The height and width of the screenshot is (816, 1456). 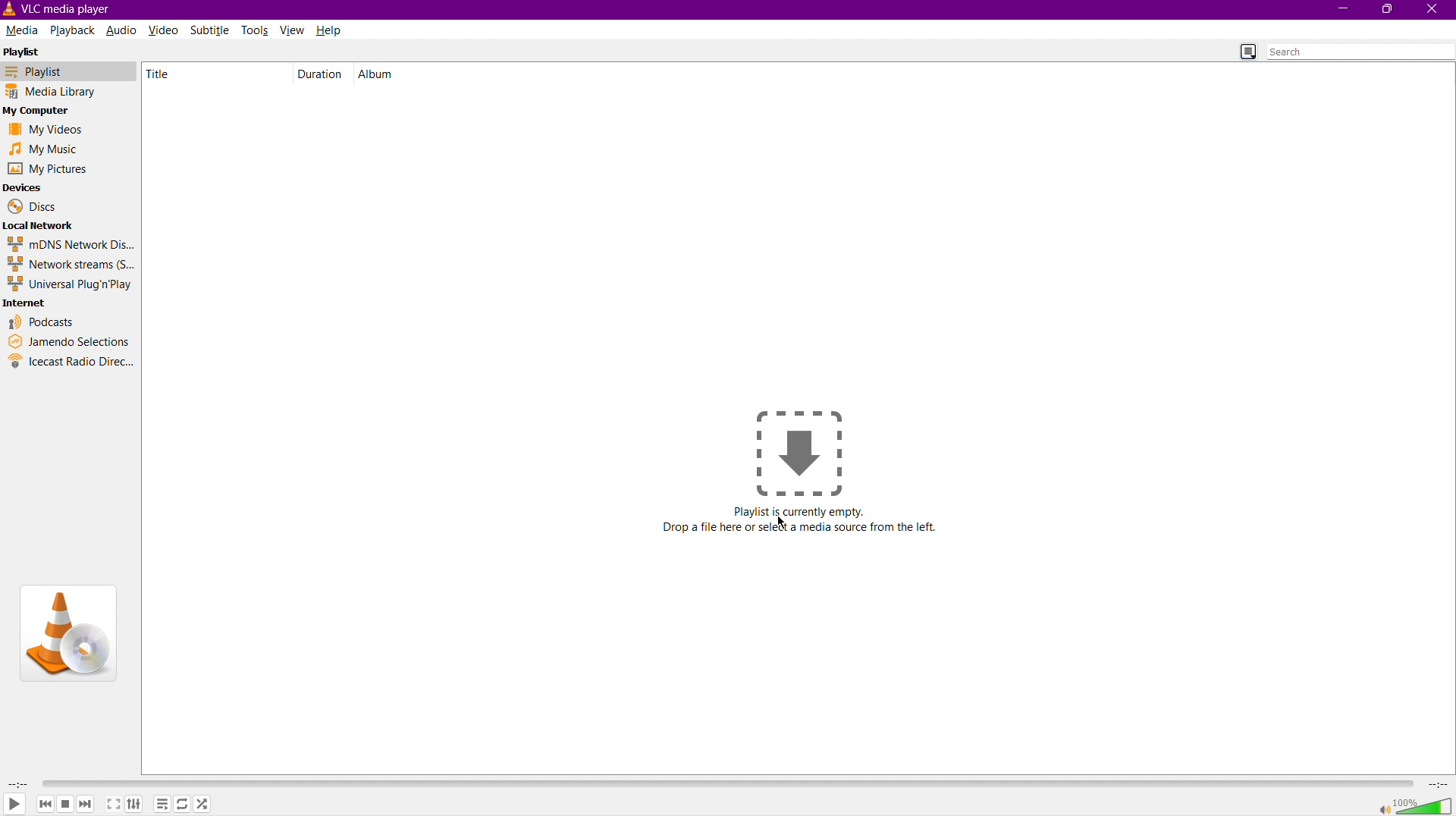 What do you see at coordinates (71, 626) in the screenshot?
I see `VLC Logo` at bounding box center [71, 626].